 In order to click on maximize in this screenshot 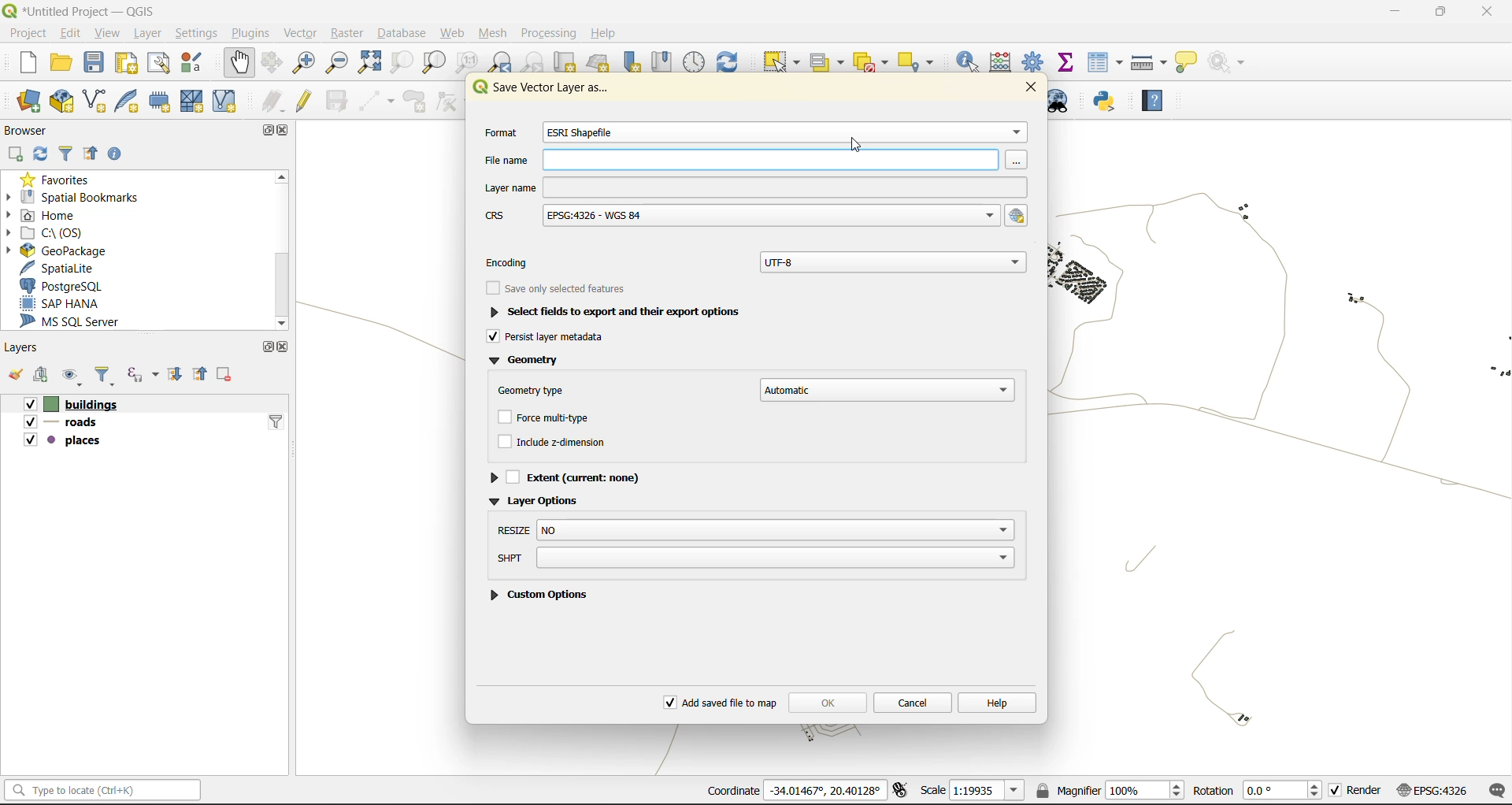, I will do `click(273, 129)`.